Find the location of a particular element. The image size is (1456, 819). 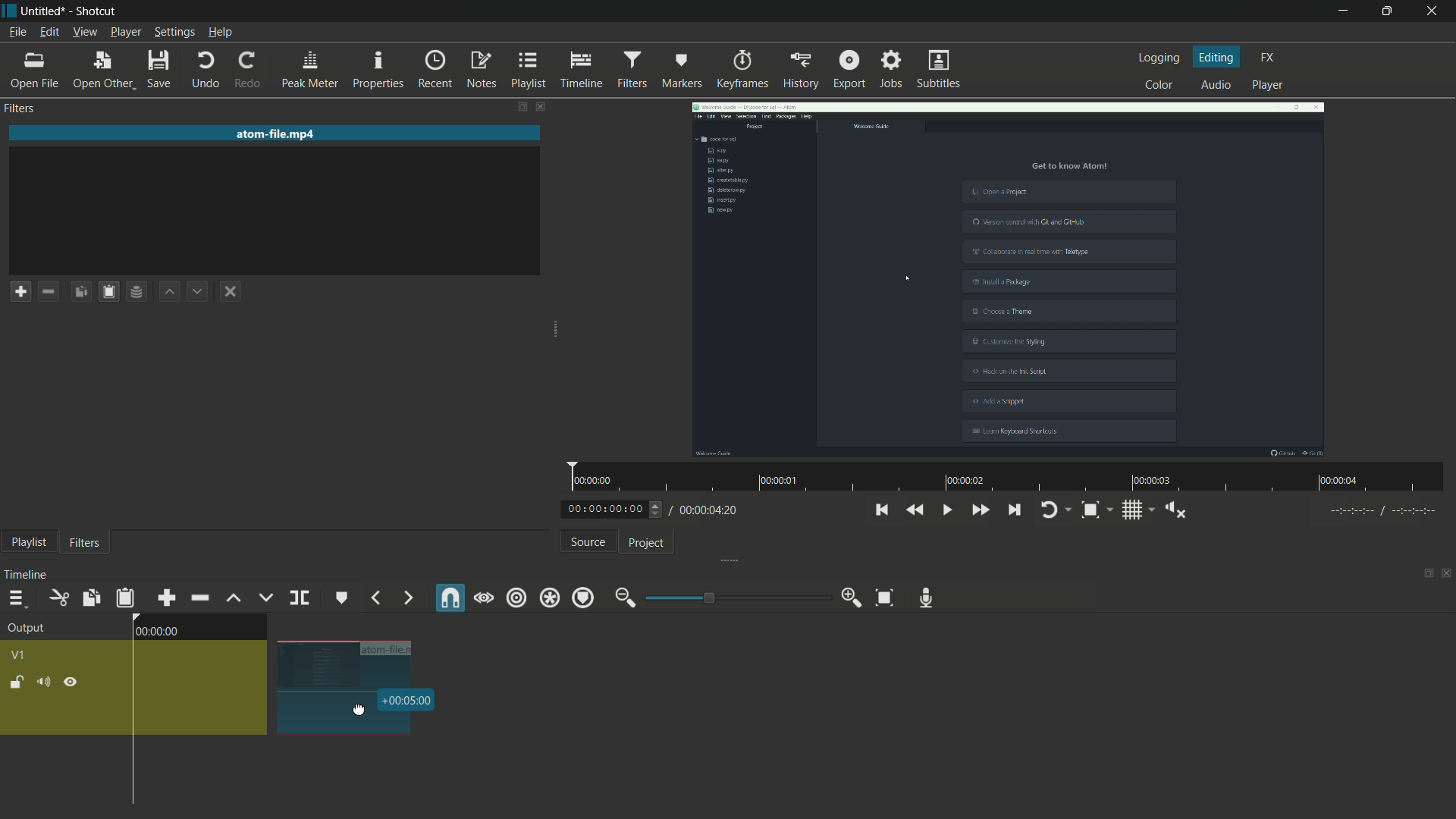

view menu is located at coordinates (84, 32).